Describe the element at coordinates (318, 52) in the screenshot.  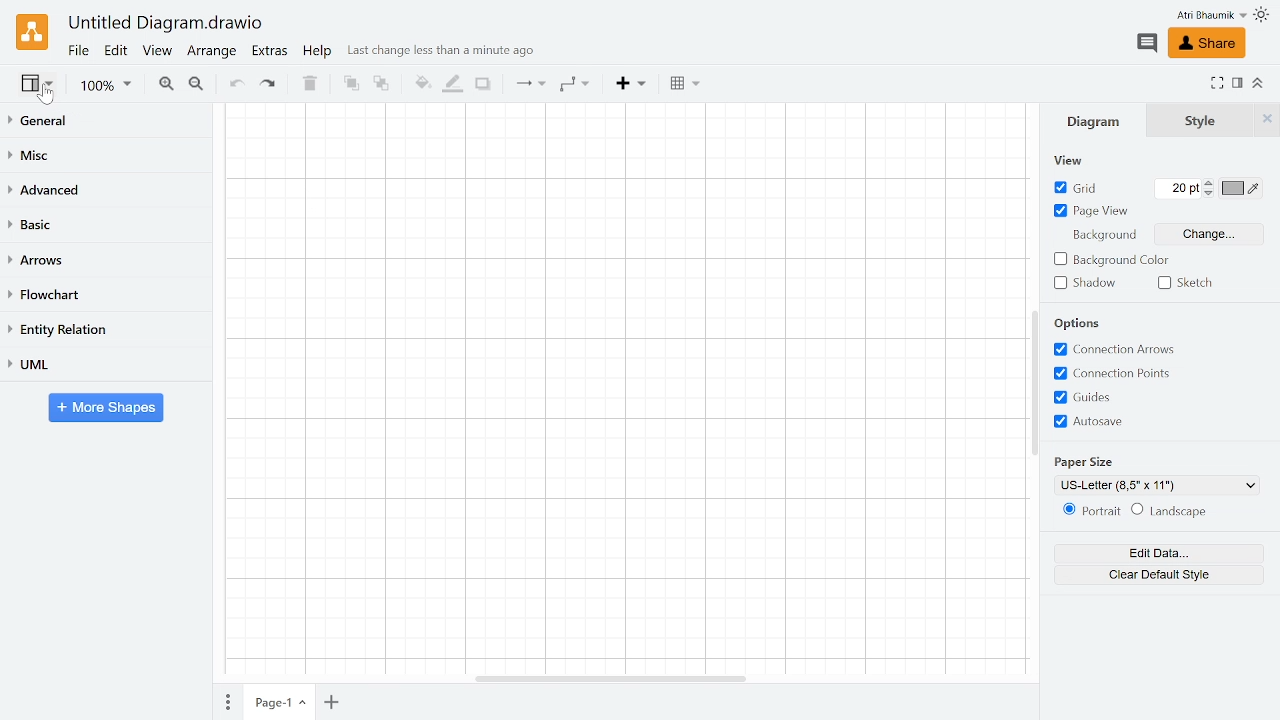
I see `help` at that location.